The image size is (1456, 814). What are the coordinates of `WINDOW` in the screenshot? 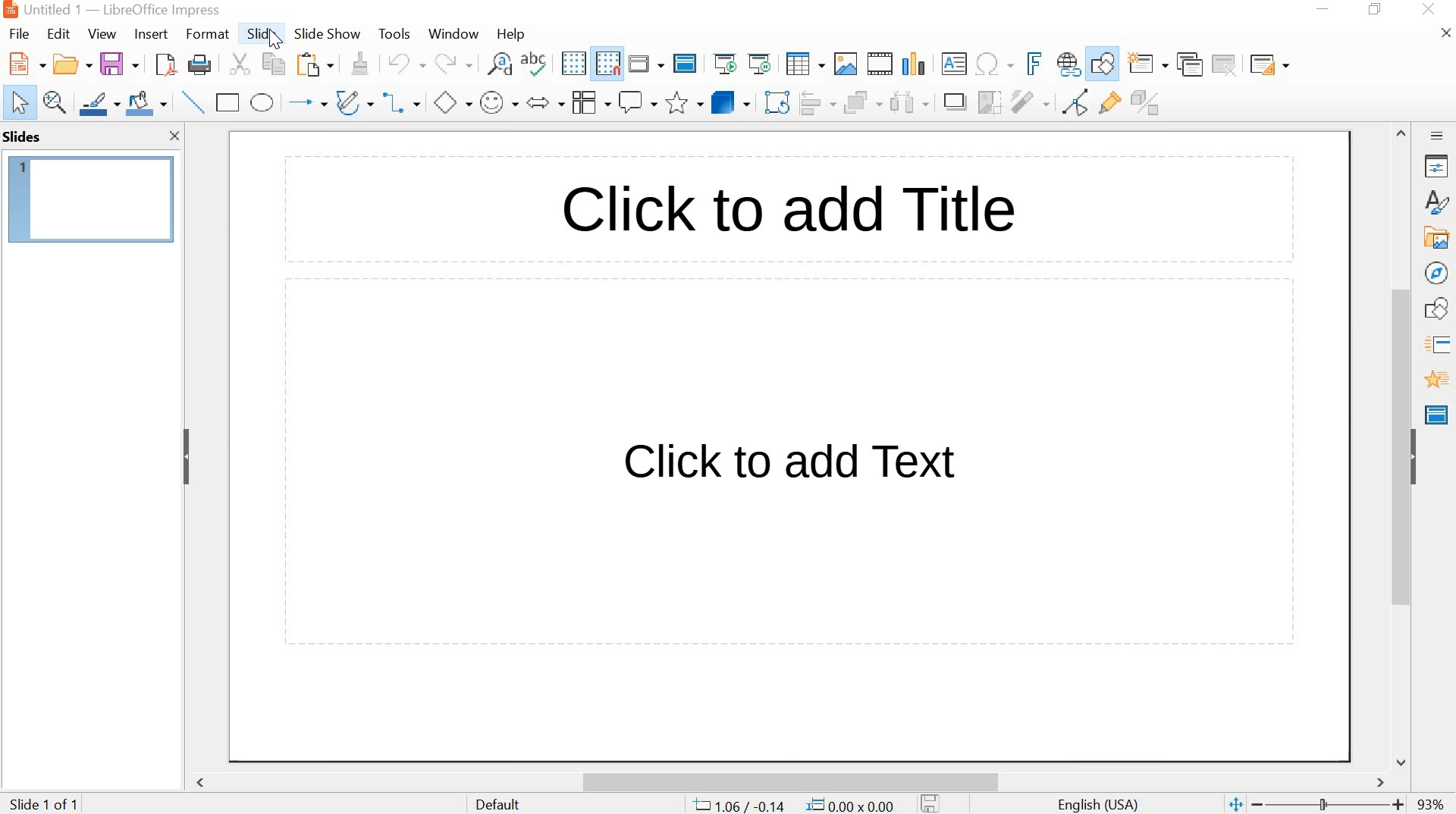 It's located at (455, 35).